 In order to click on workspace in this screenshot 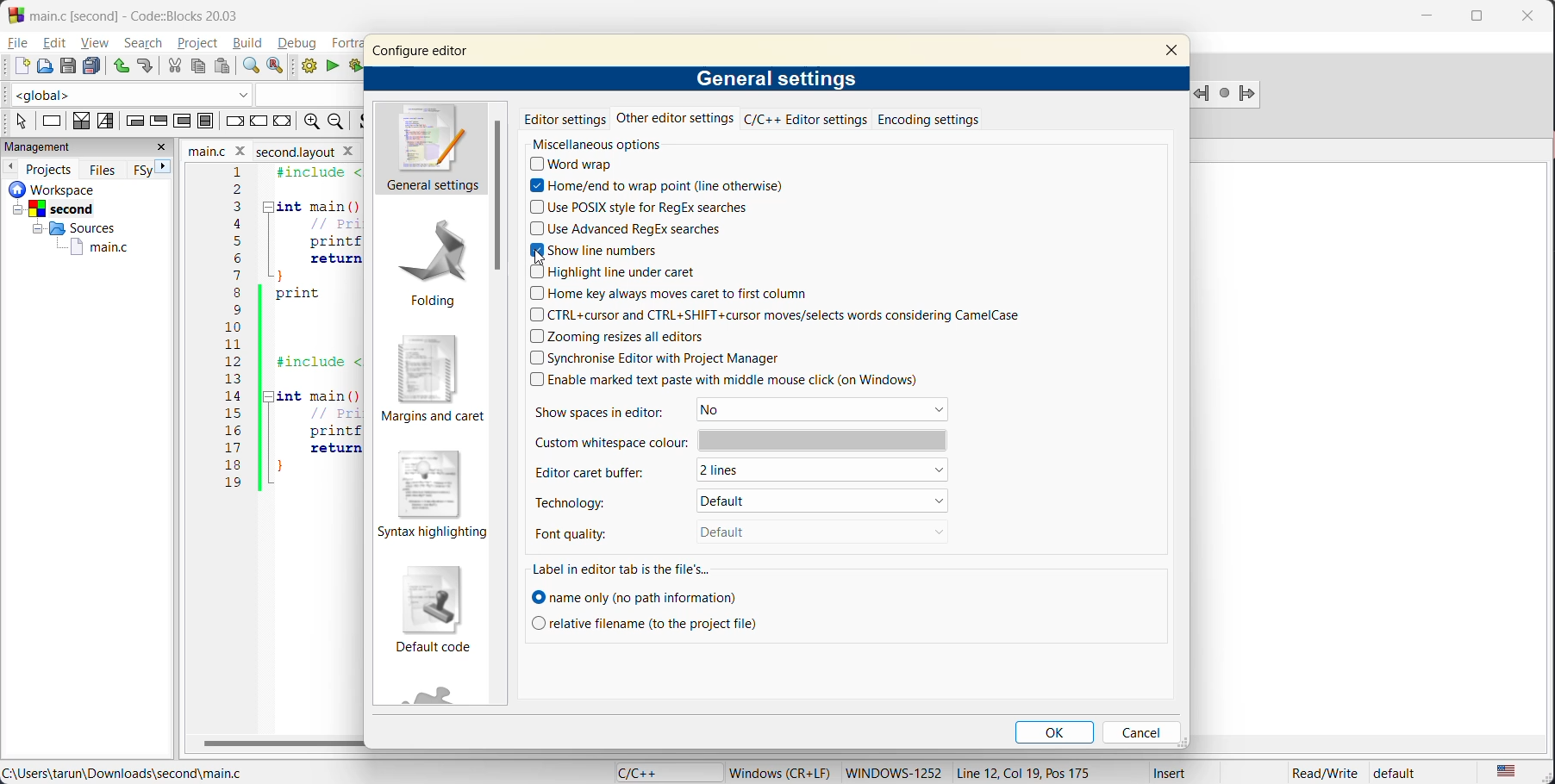, I will do `click(68, 189)`.